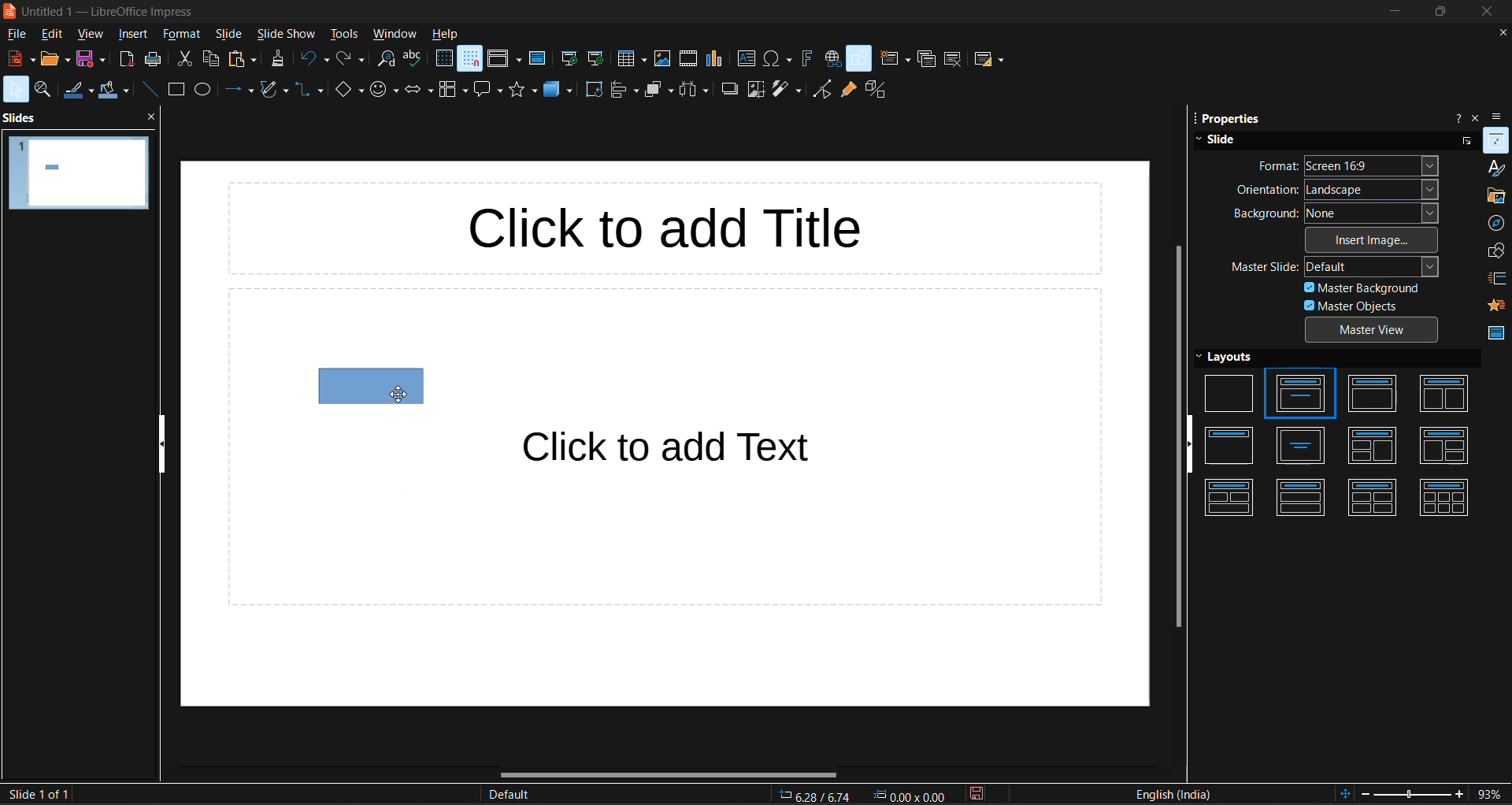 This screenshot has width=1512, height=805. I want to click on minimize, so click(1387, 14).